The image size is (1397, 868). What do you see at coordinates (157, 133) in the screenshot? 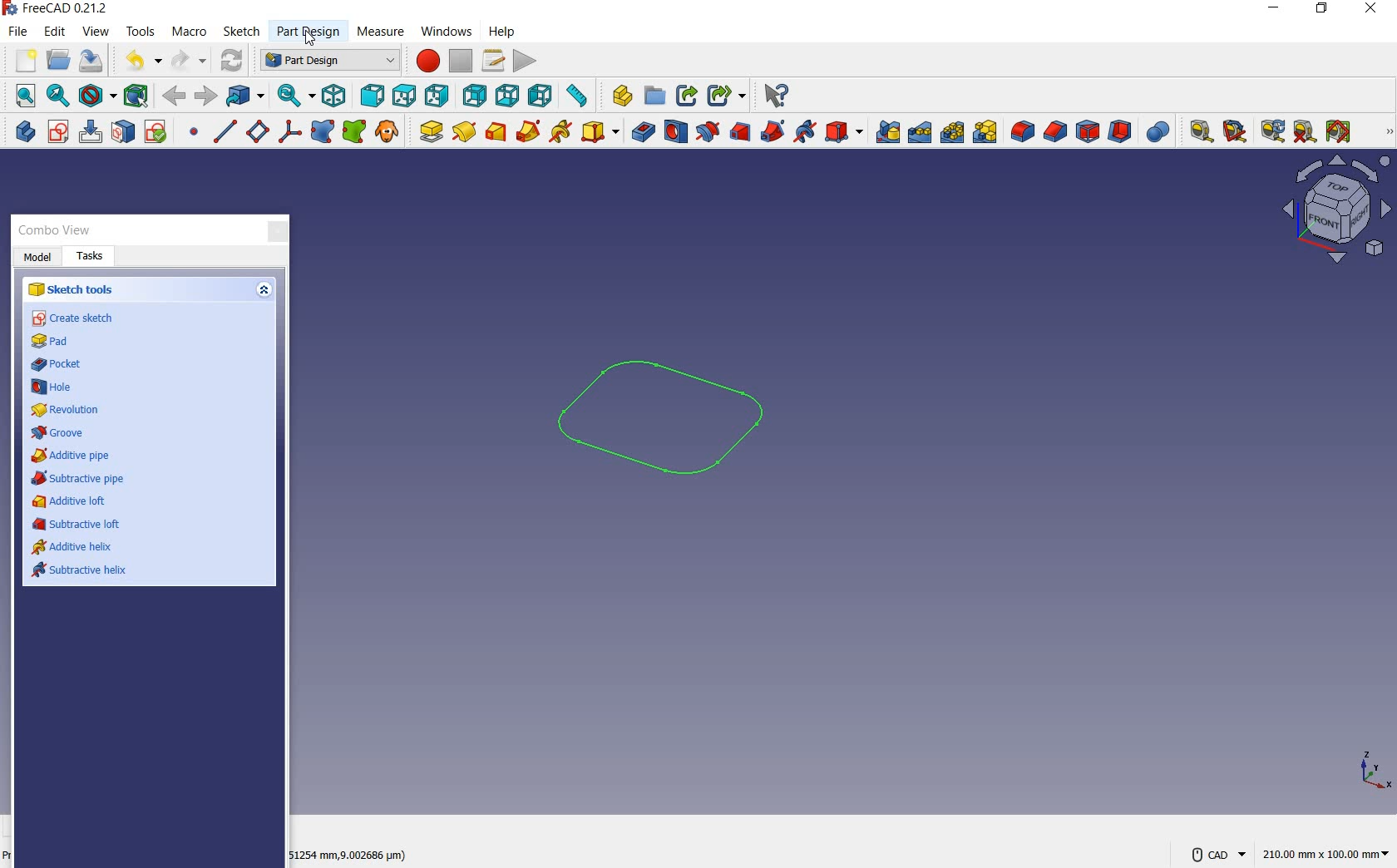
I see `validate sketch` at bounding box center [157, 133].